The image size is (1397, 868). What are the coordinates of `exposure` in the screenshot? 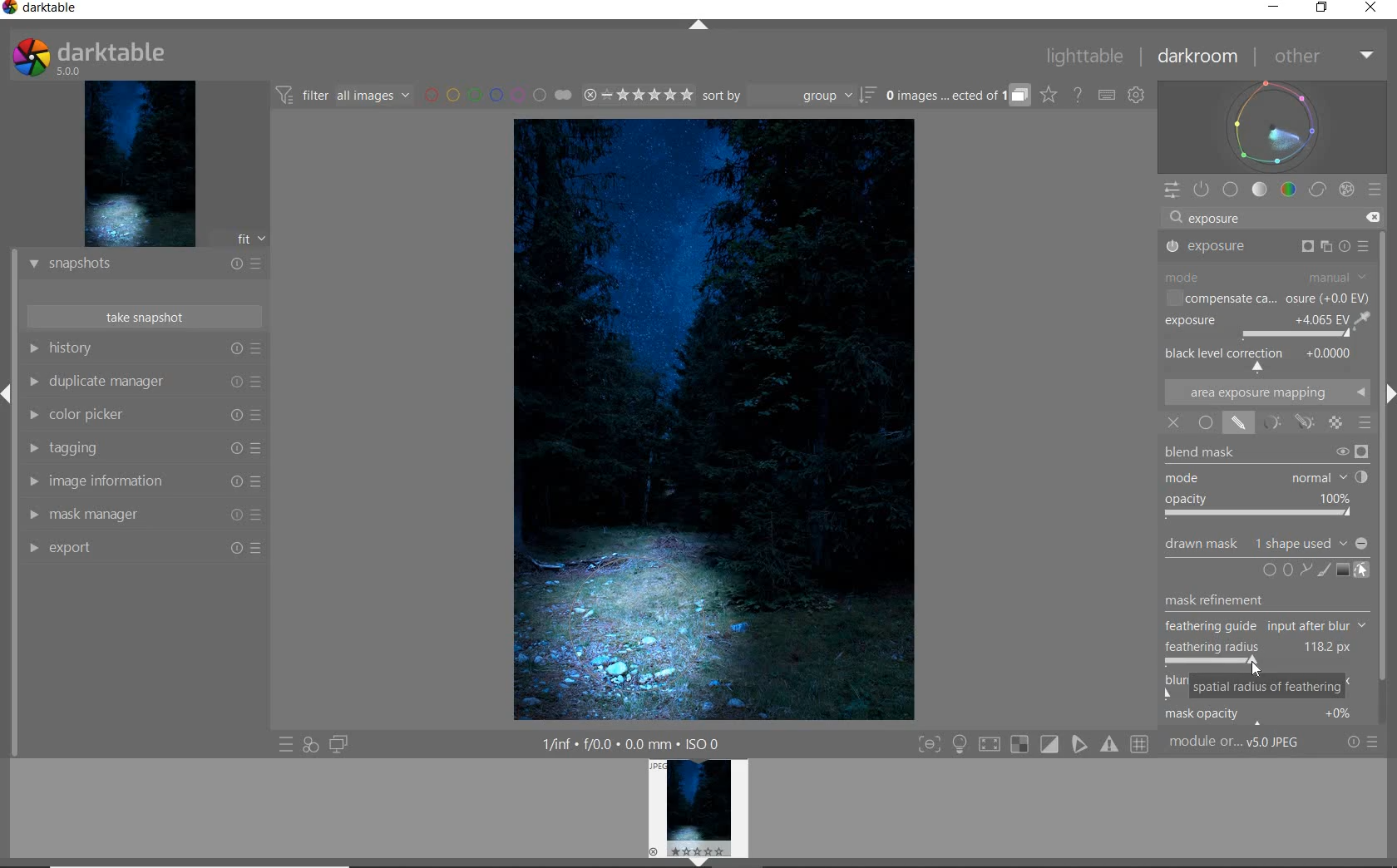 It's located at (1219, 218).